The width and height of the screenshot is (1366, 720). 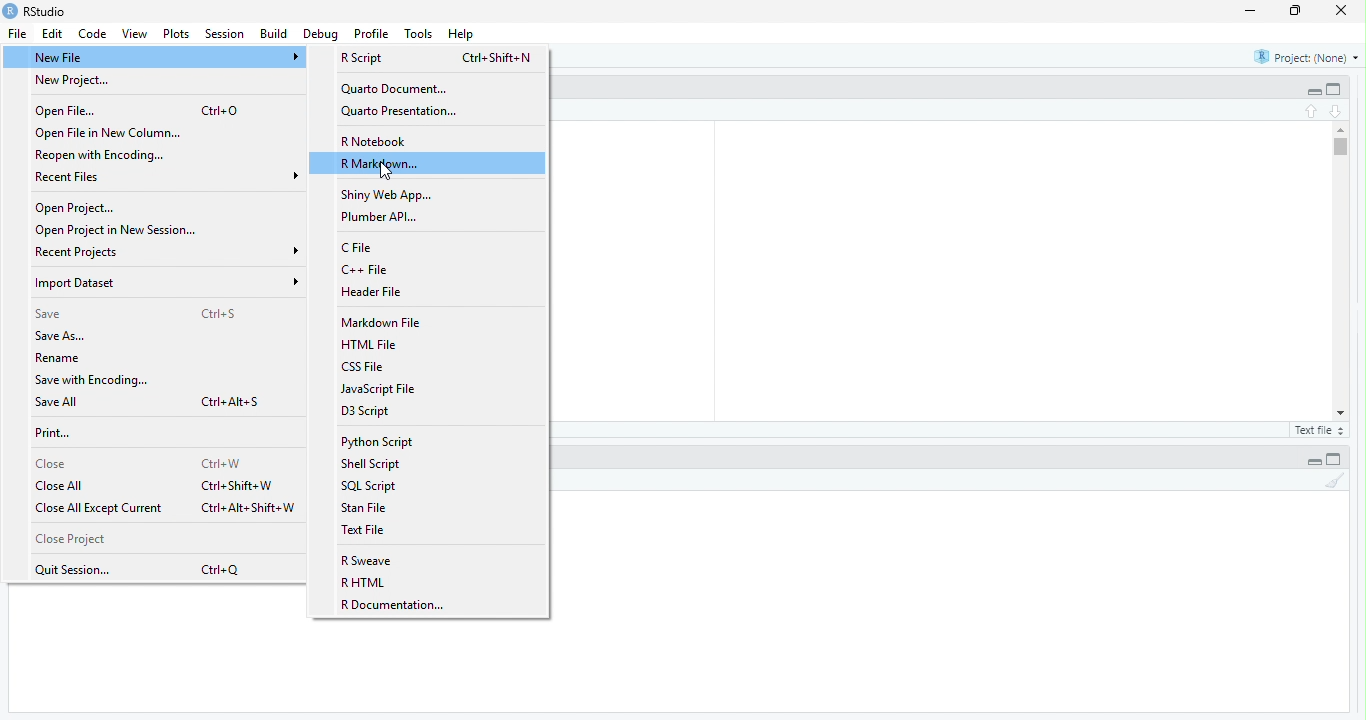 I want to click on Open Project in New Session..., so click(x=119, y=231).